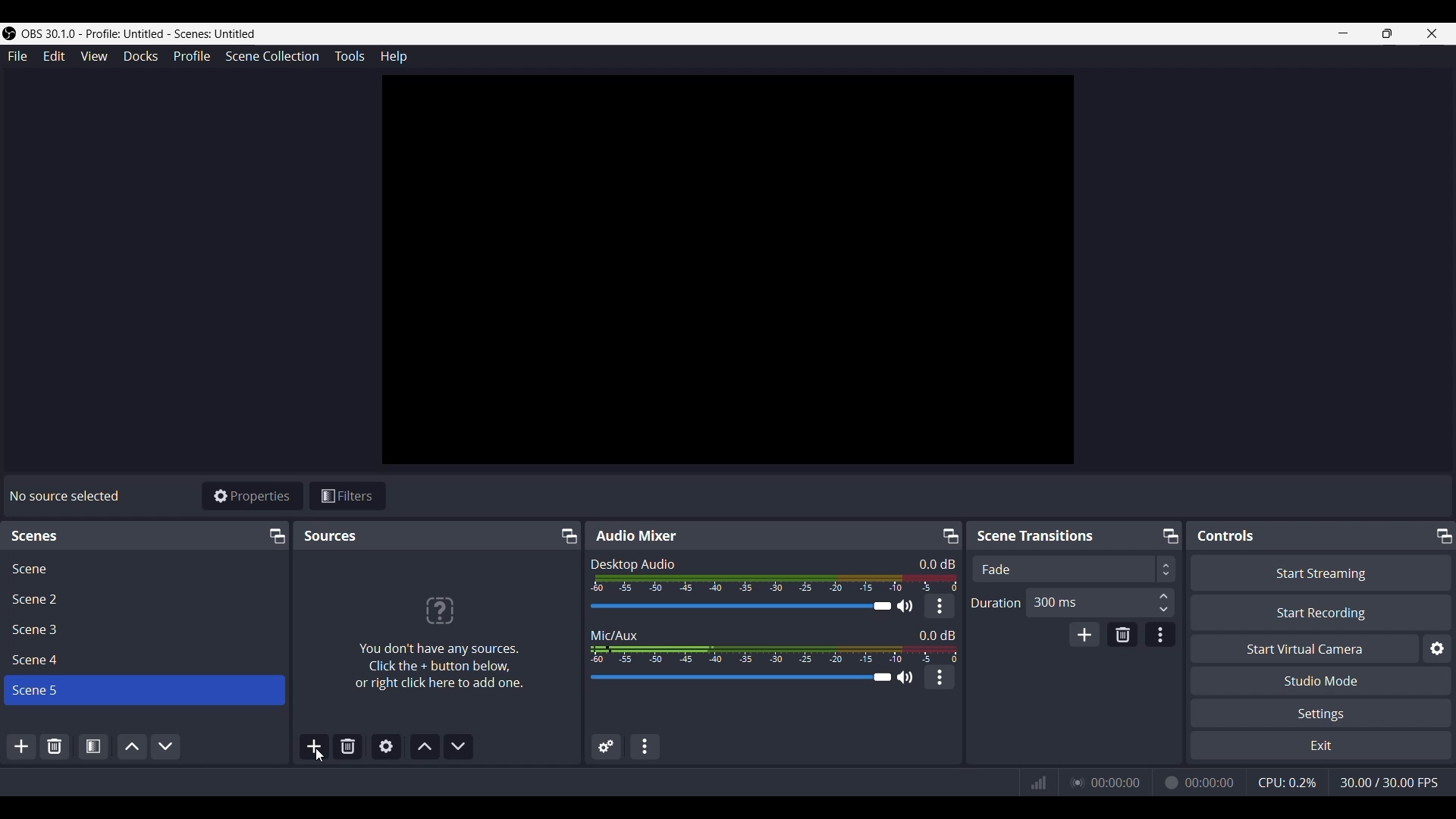 Image resolution: width=1456 pixels, height=819 pixels. What do you see at coordinates (1344, 34) in the screenshot?
I see `Minimize` at bounding box center [1344, 34].